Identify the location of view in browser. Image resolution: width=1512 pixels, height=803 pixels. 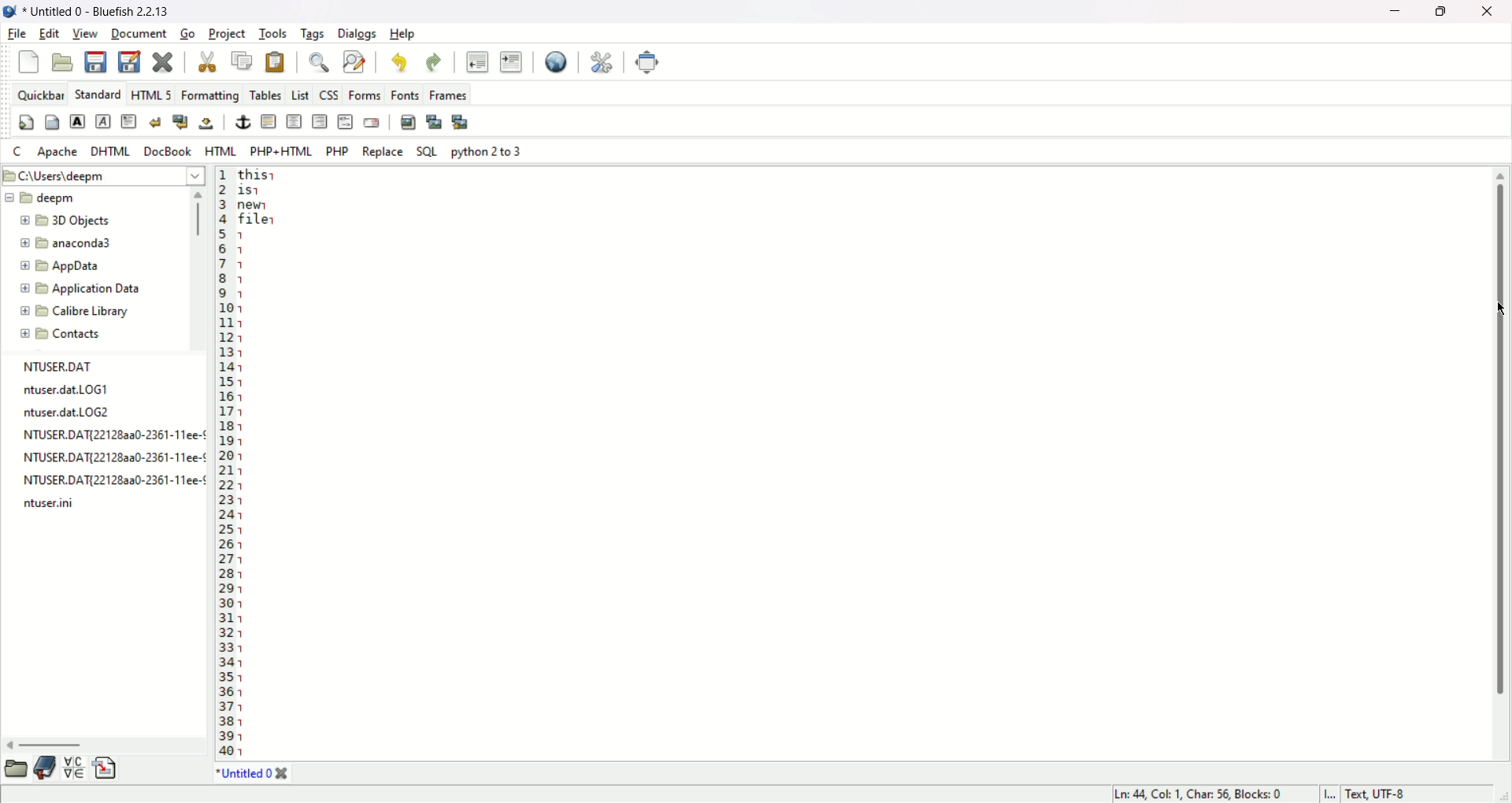
(555, 62).